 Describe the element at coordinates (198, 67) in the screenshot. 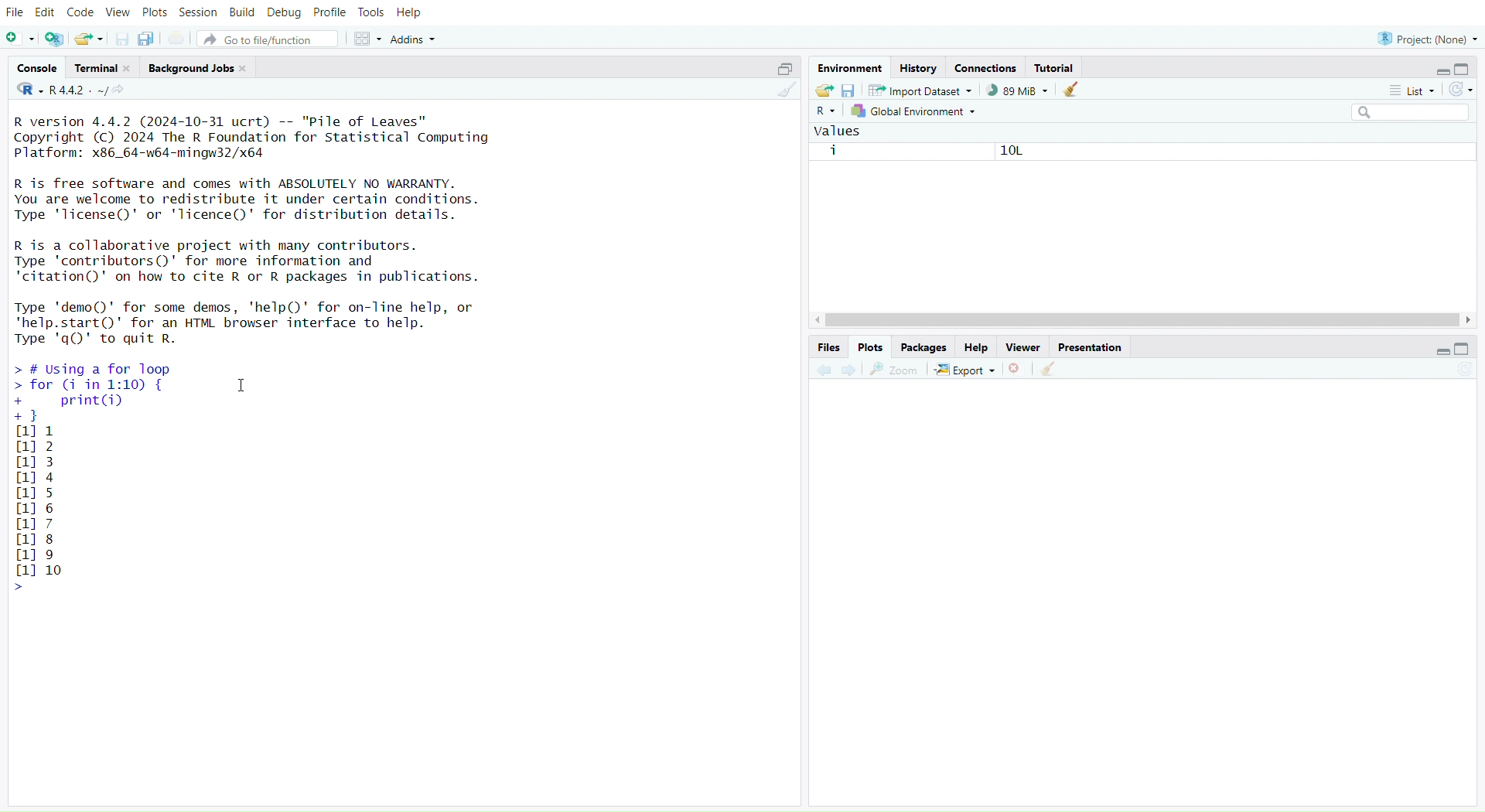

I see `background jobs` at that location.